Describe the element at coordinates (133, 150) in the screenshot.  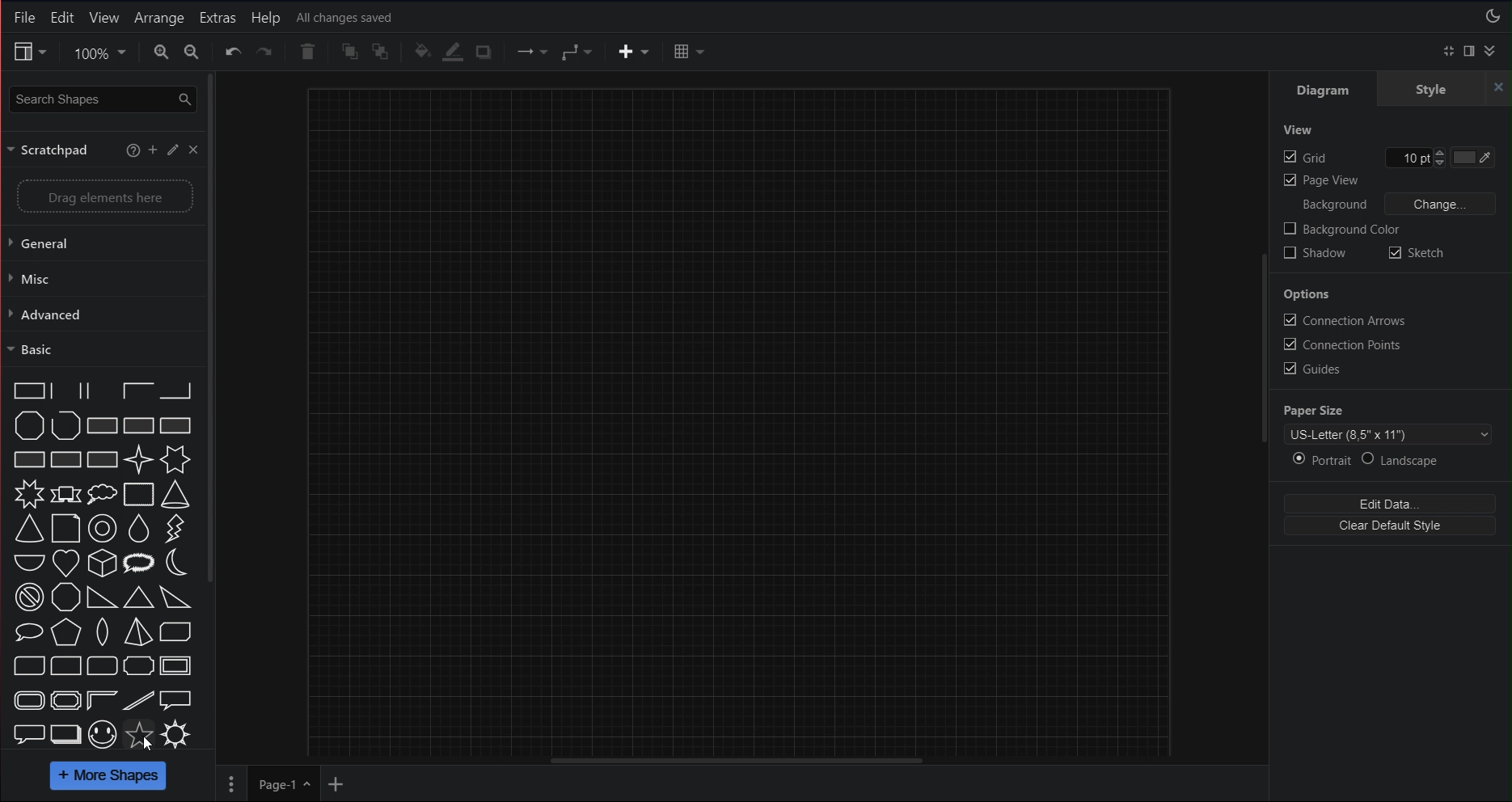
I see `Info` at that location.